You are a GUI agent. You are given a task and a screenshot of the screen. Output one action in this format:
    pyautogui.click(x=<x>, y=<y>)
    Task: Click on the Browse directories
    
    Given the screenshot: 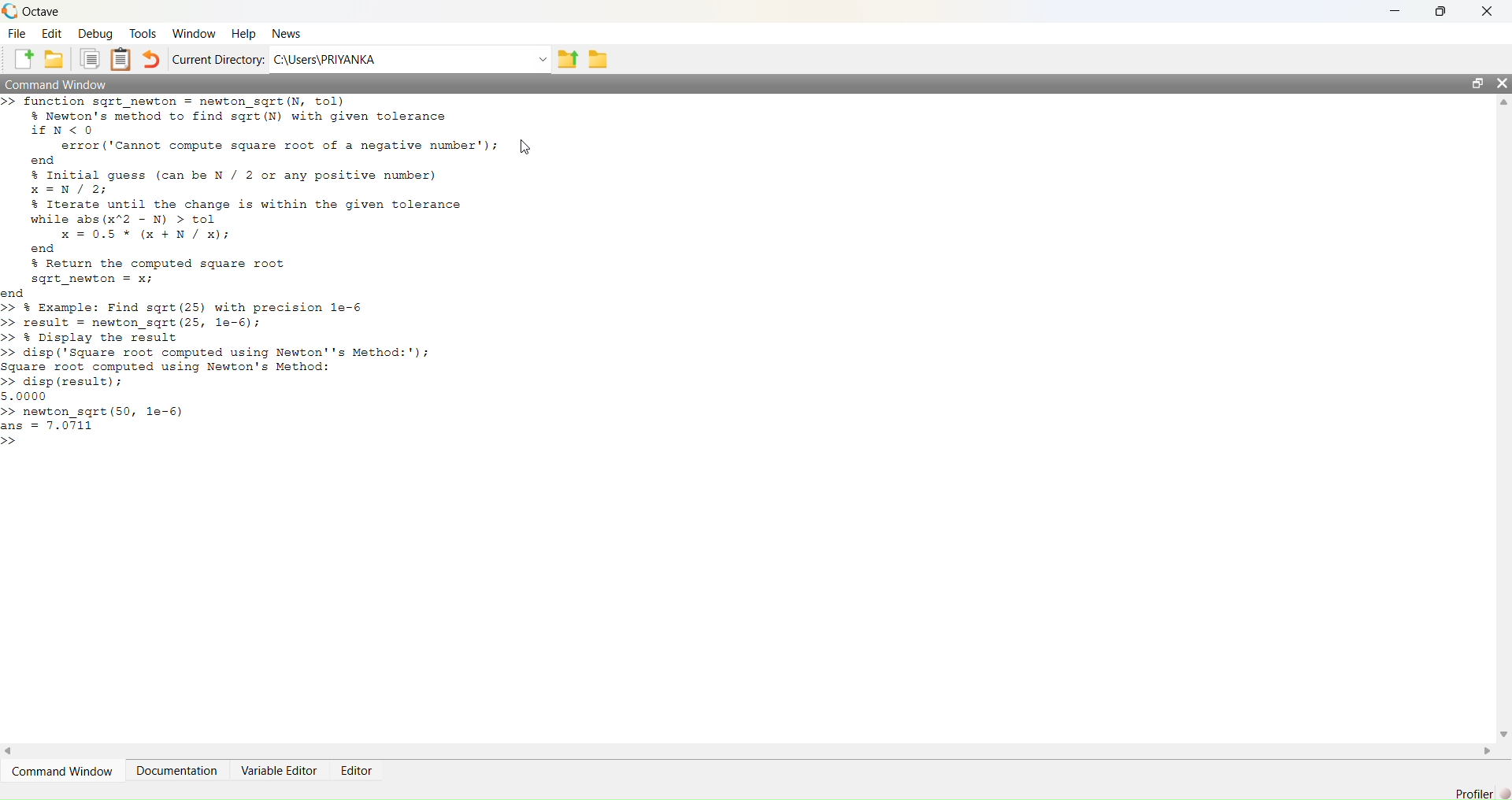 What is the action you would take?
    pyautogui.click(x=598, y=57)
    